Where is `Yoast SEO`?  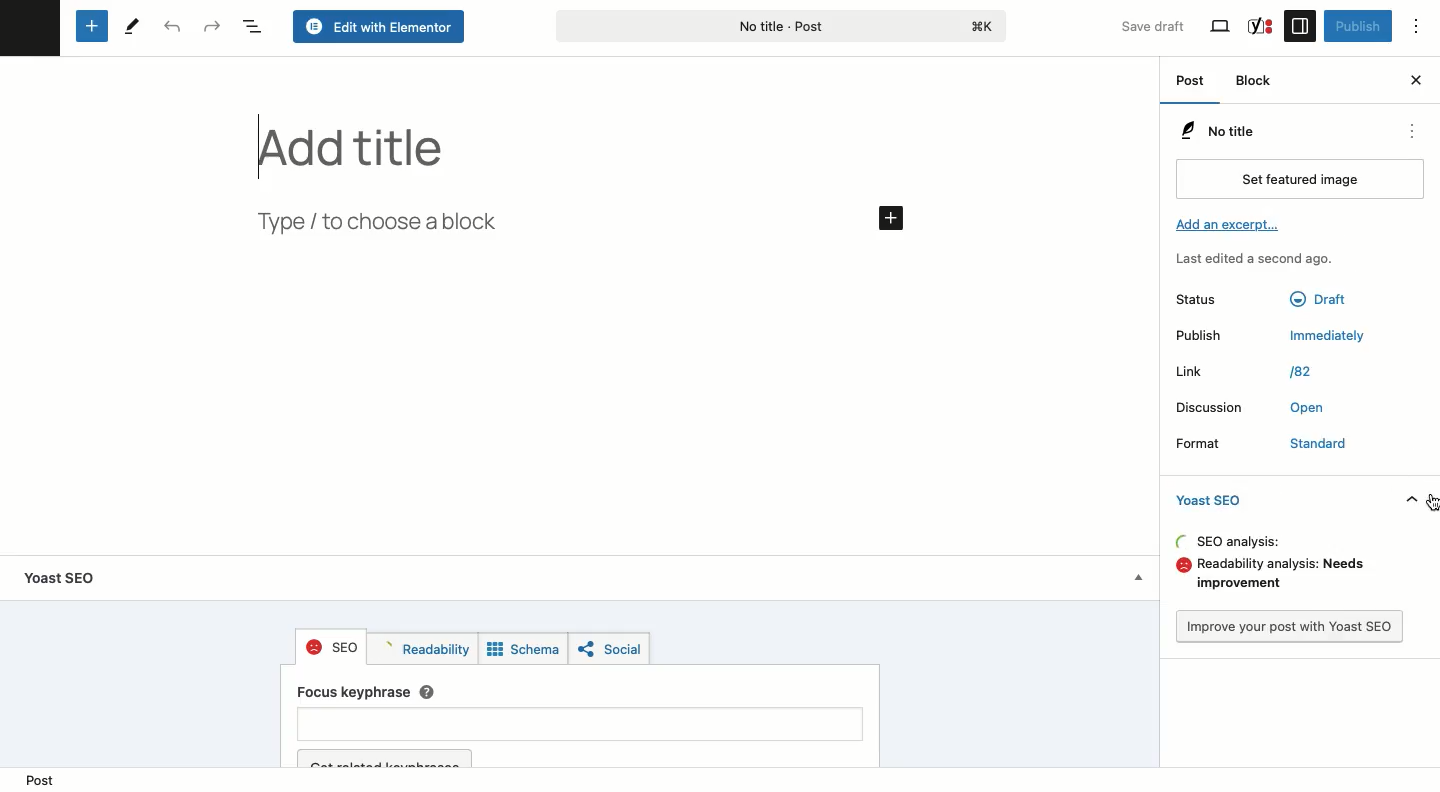
Yoast SEO is located at coordinates (74, 576).